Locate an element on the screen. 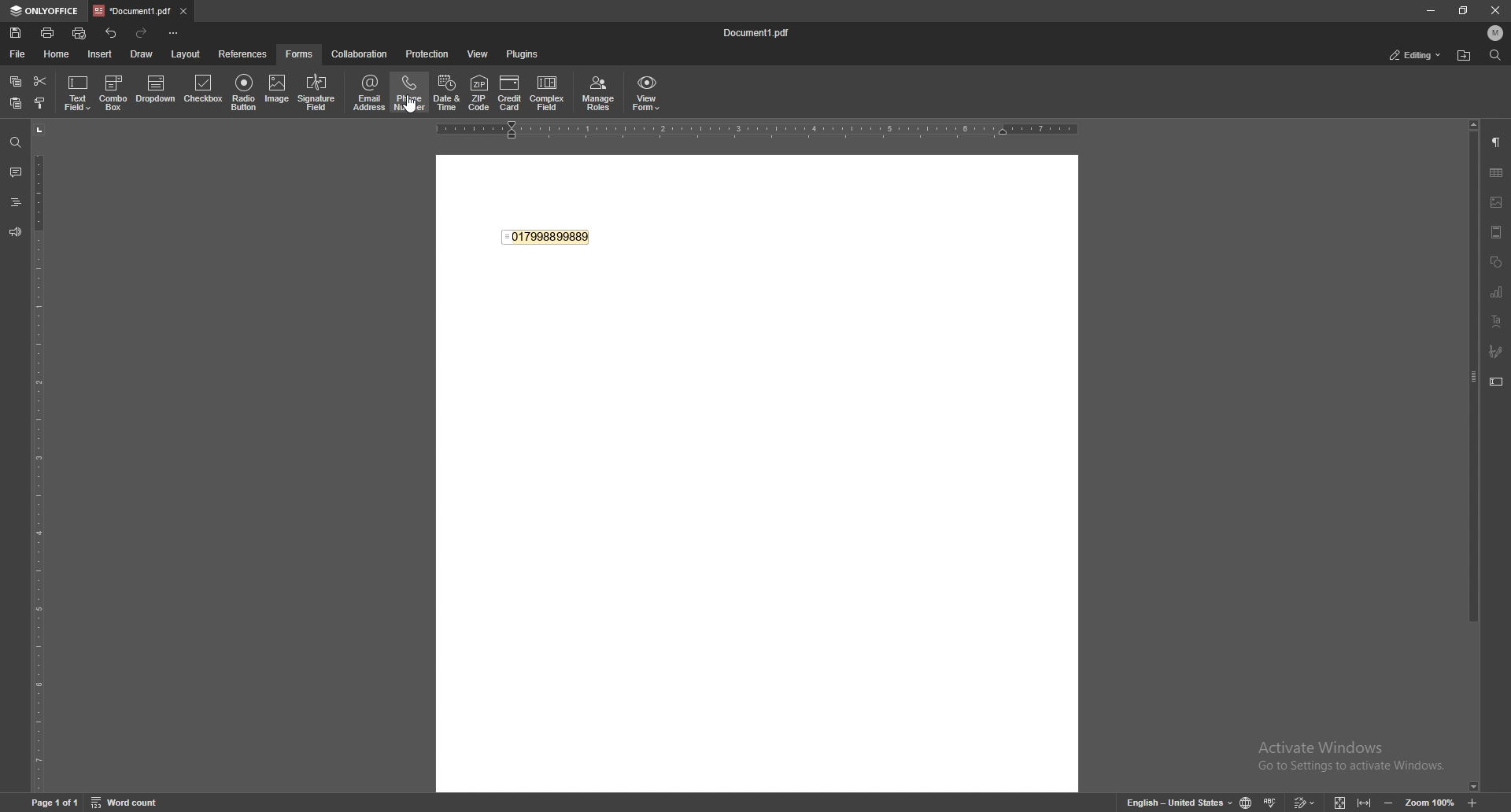 This screenshot has height=812, width=1511. Activate Windows
Go to Settings to activate Windows. is located at coordinates (1354, 757).